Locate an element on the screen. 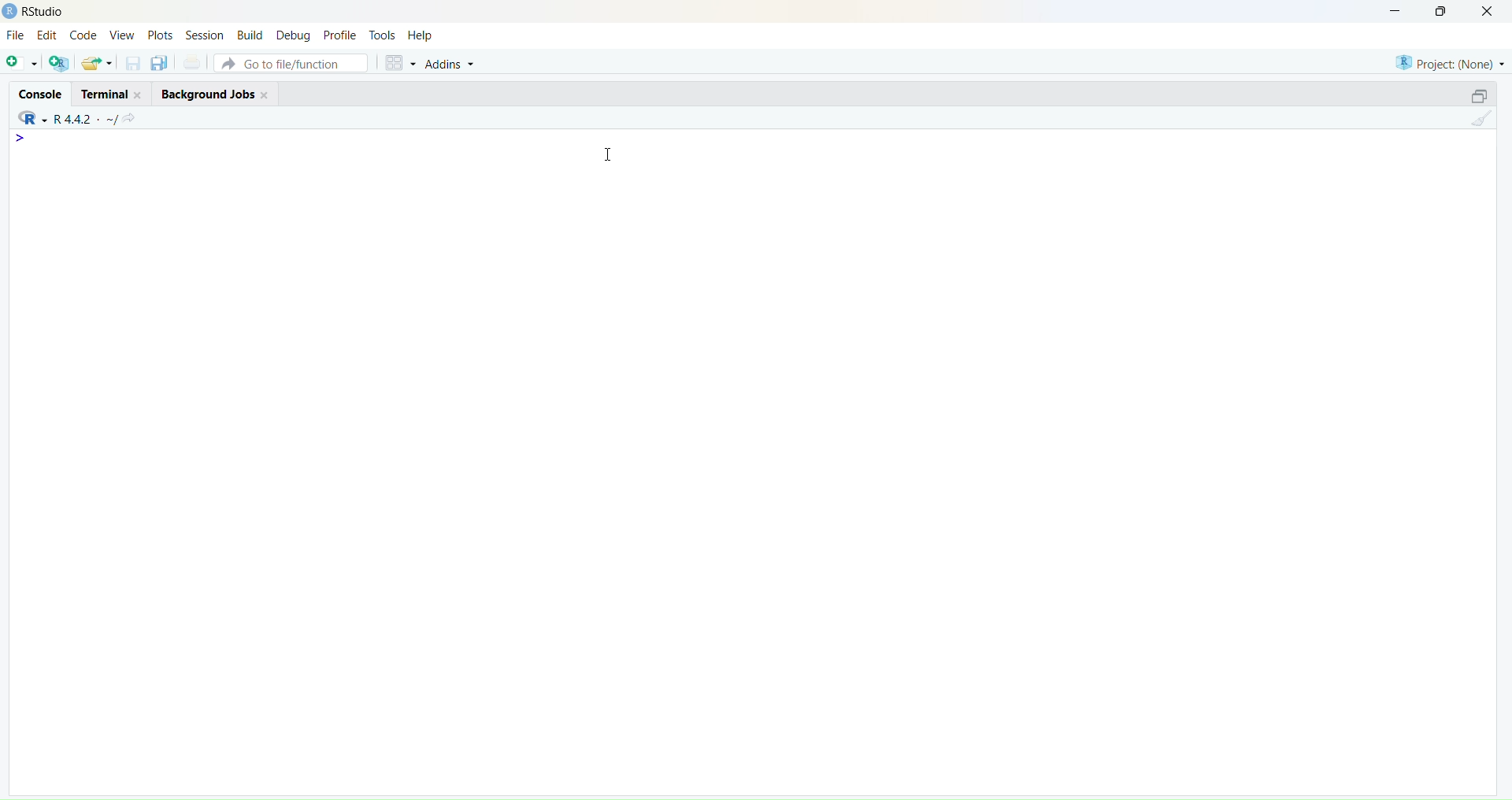  minimise is located at coordinates (1385, 9).